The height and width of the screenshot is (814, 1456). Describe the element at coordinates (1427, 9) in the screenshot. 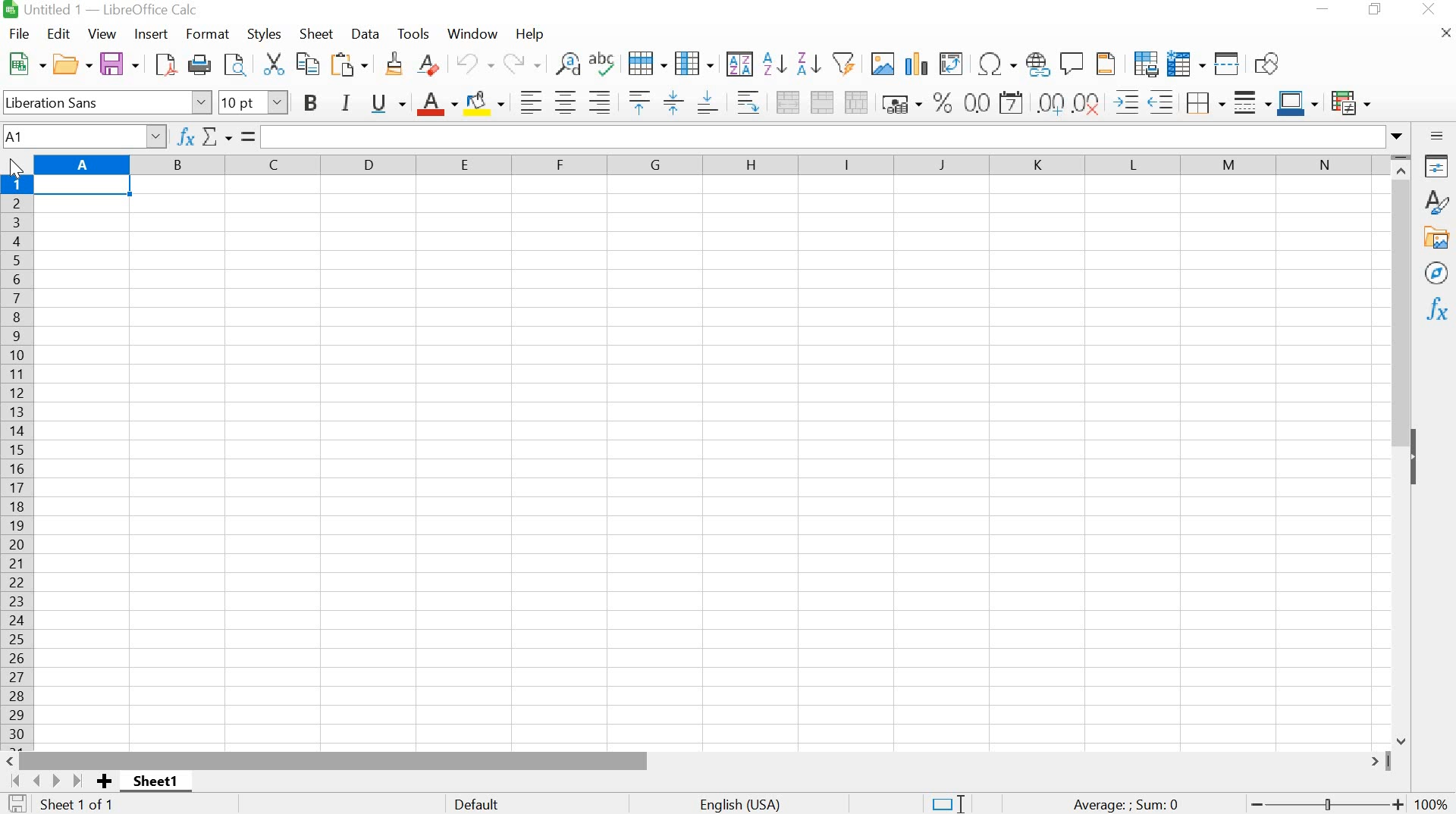

I see `CLOSE` at that location.